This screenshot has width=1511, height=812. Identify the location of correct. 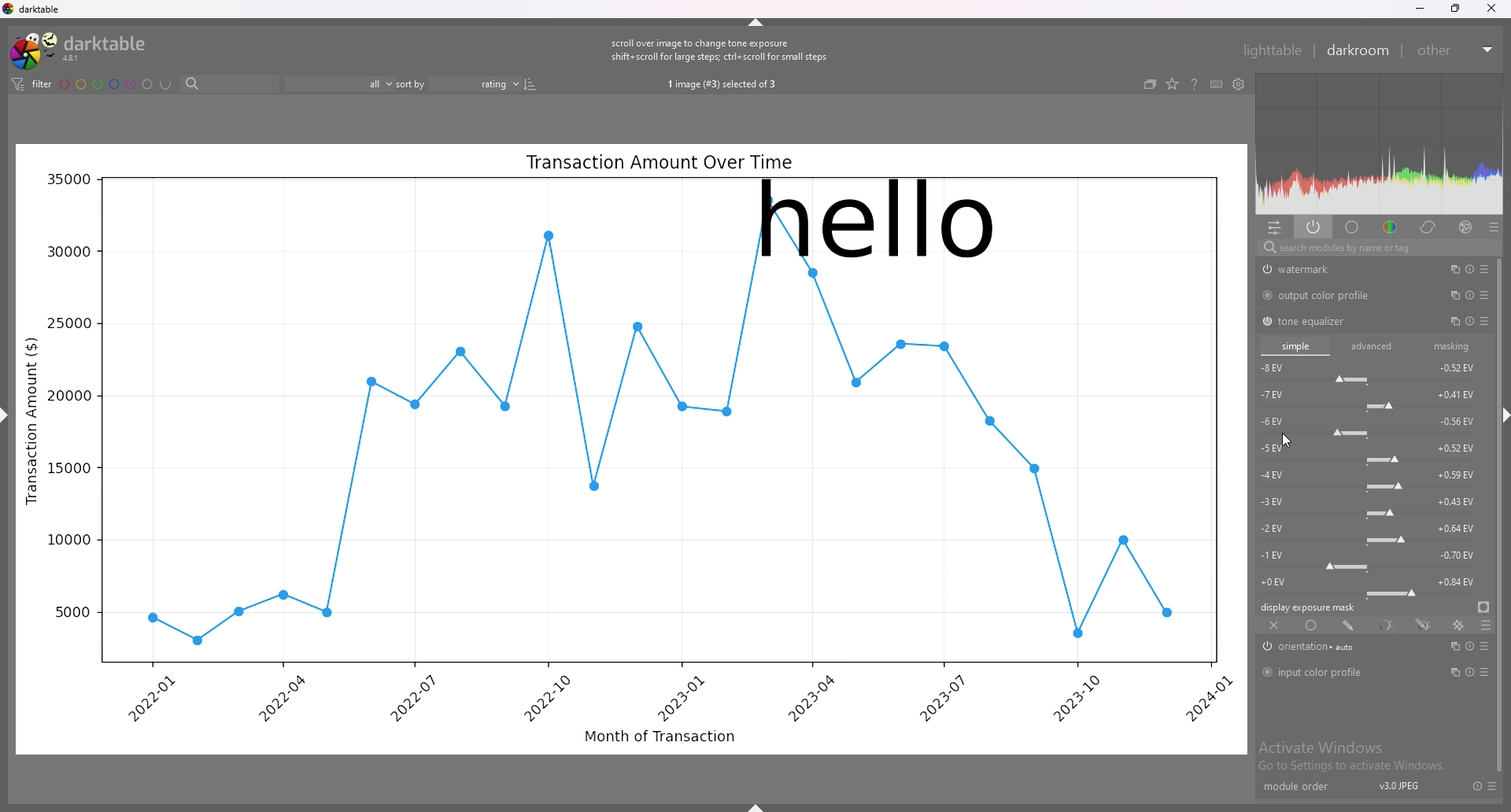
(1429, 227).